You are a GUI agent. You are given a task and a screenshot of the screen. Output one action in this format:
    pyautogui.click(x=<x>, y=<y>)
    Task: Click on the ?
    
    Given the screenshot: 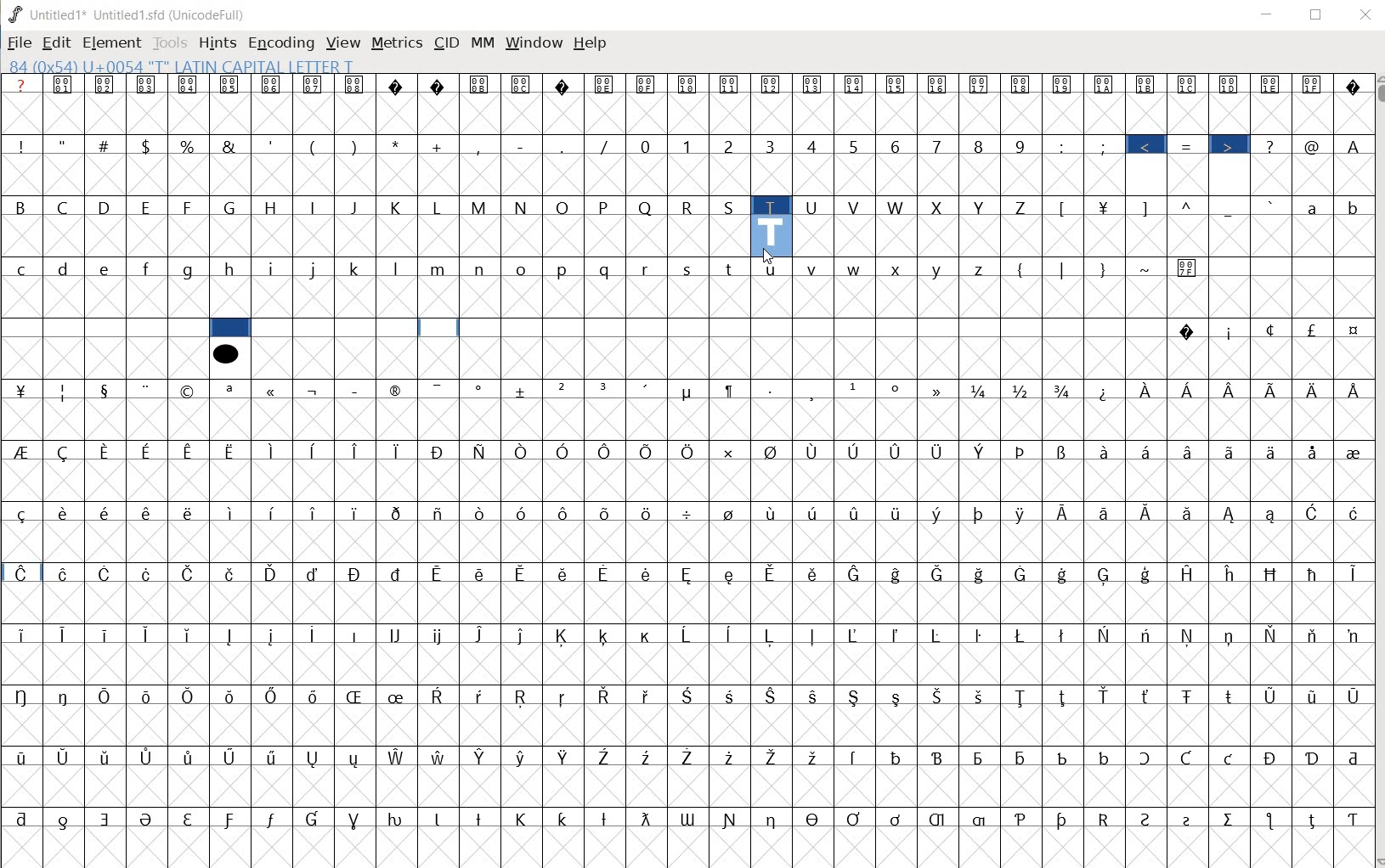 What is the action you would take?
    pyautogui.click(x=1272, y=145)
    